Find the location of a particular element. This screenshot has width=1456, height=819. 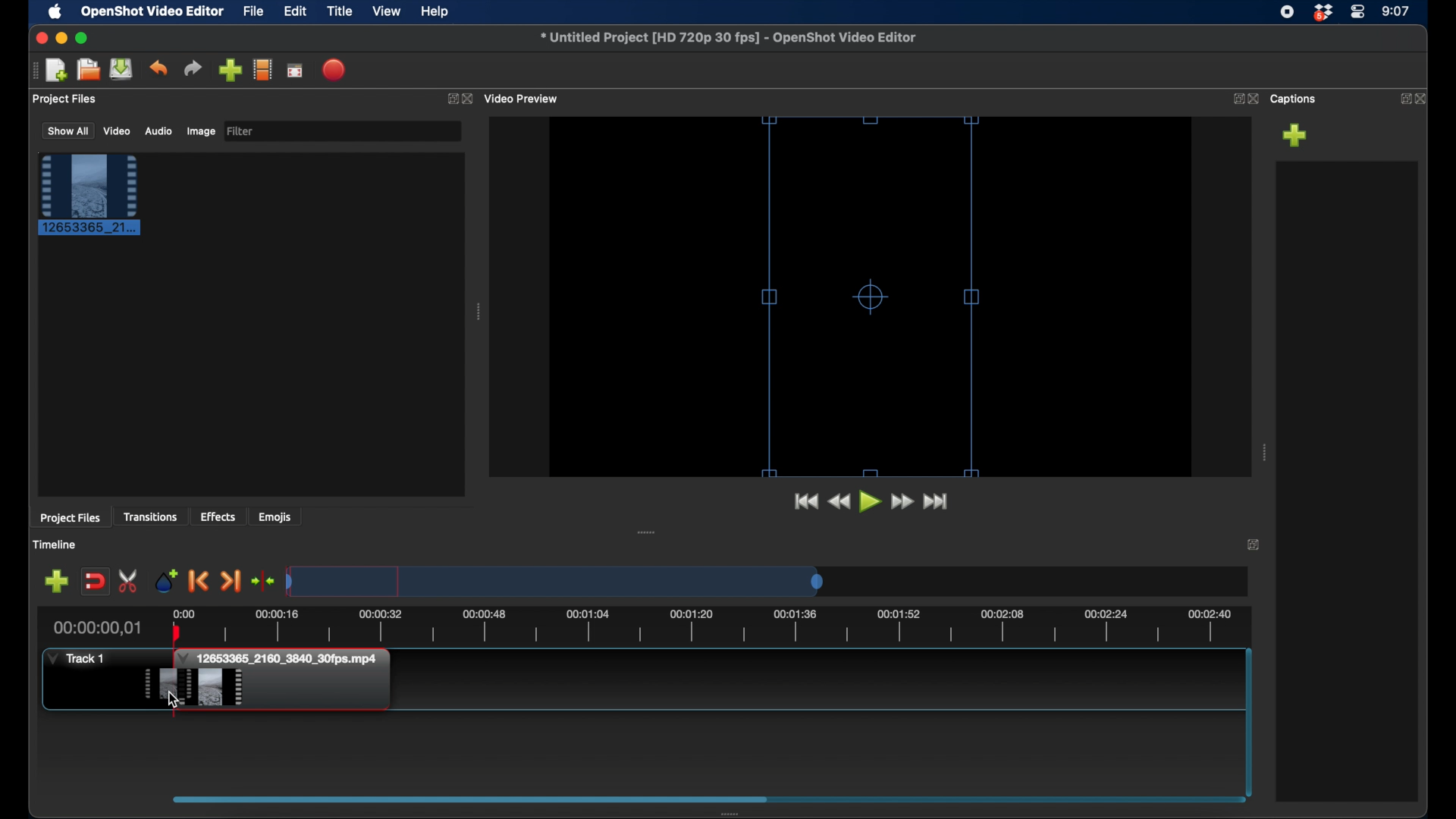

filename is located at coordinates (727, 37).